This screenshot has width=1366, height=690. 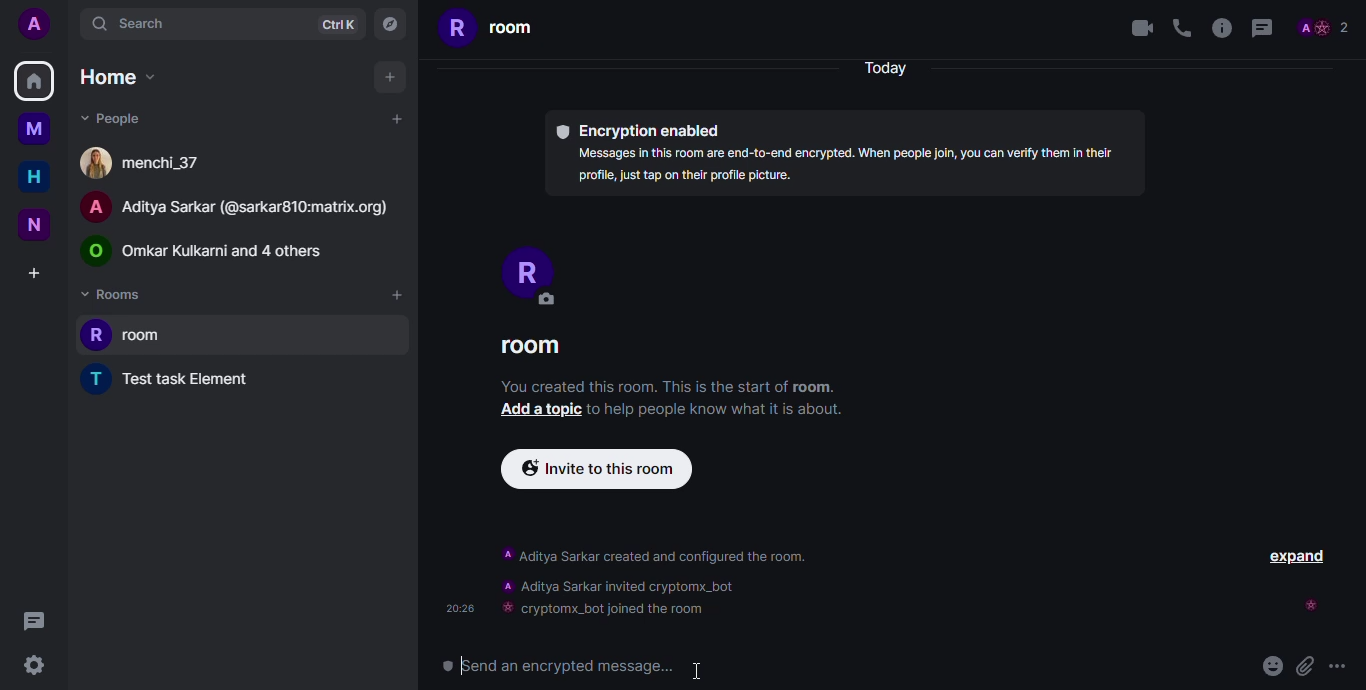 I want to click on add, so click(x=390, y=78).